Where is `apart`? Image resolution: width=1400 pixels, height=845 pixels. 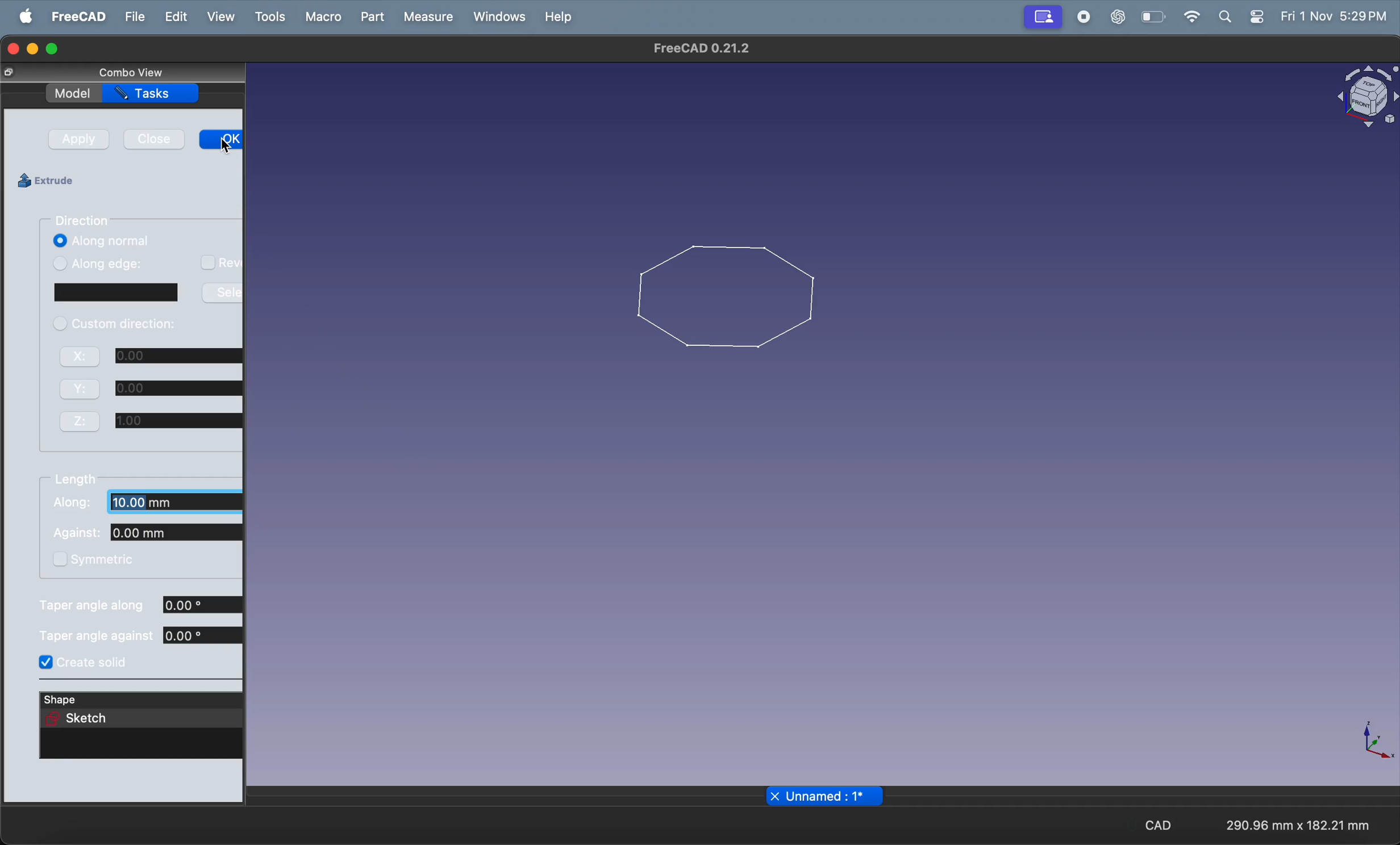
apart is located at coordinates (147, 535).